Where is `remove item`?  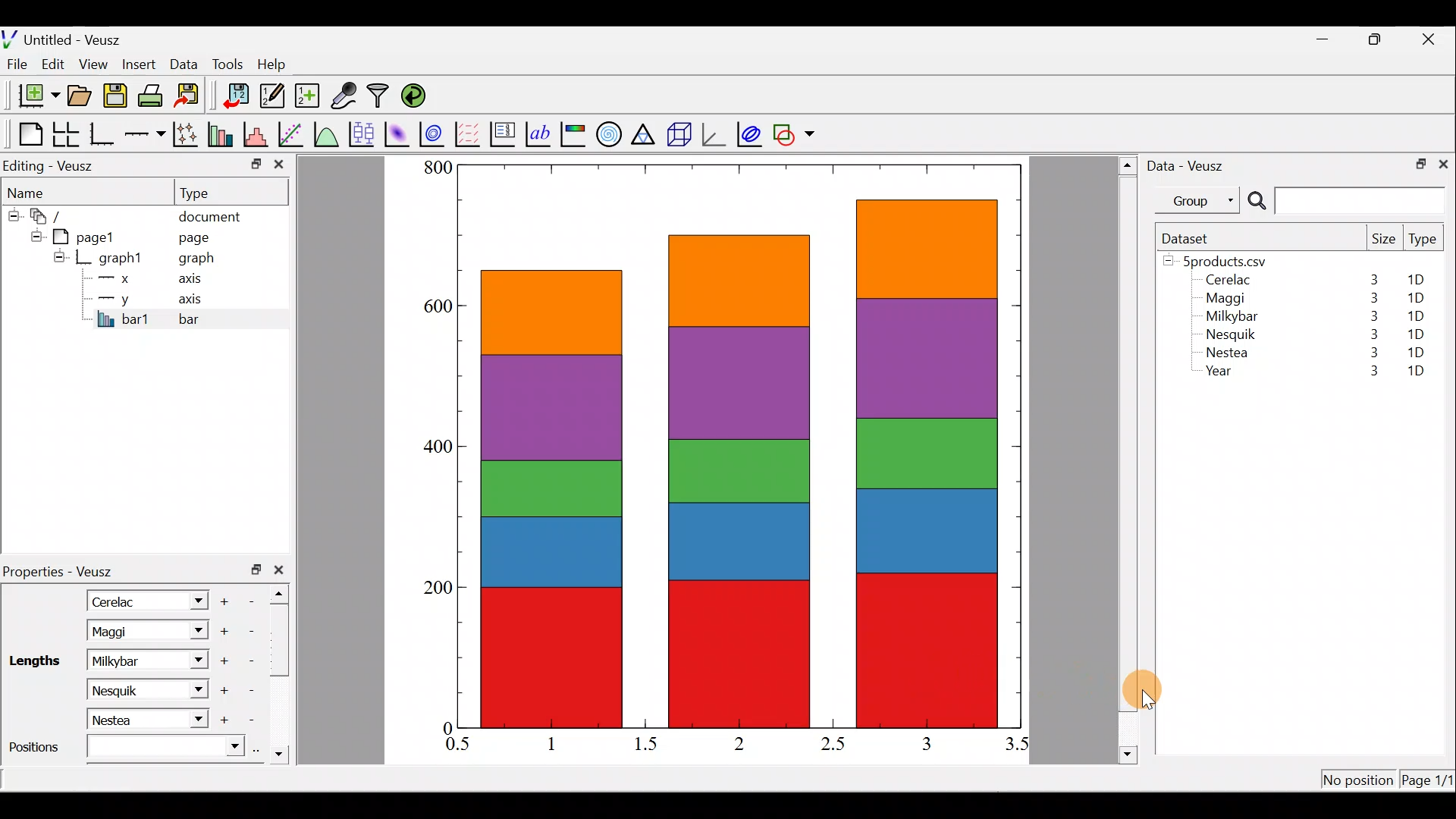 remove item is located at coordinates (250, 631).